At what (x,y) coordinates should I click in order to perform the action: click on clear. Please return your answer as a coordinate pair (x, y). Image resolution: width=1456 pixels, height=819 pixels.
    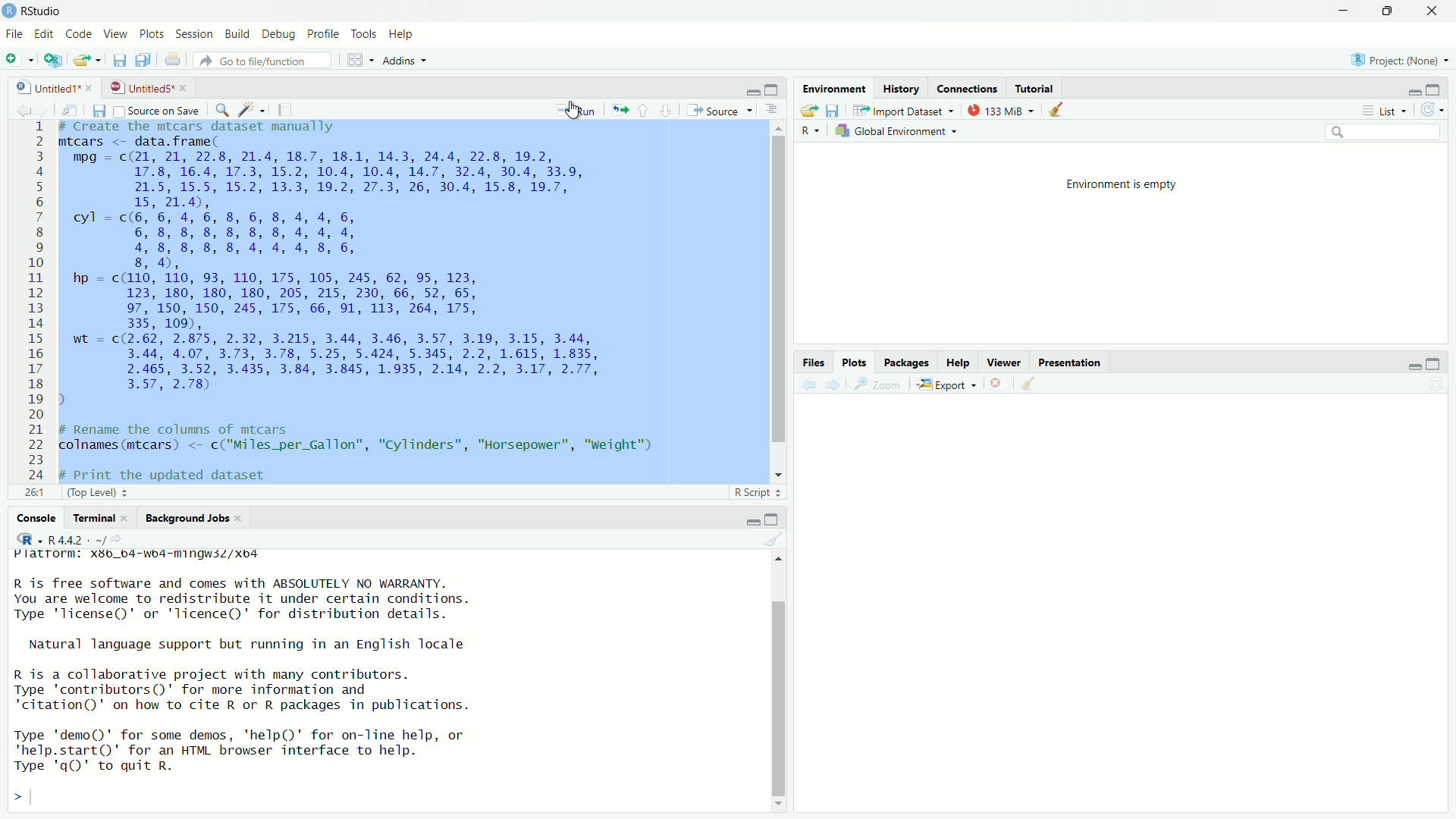
    Looking at the image, I should click on (1030, 387).